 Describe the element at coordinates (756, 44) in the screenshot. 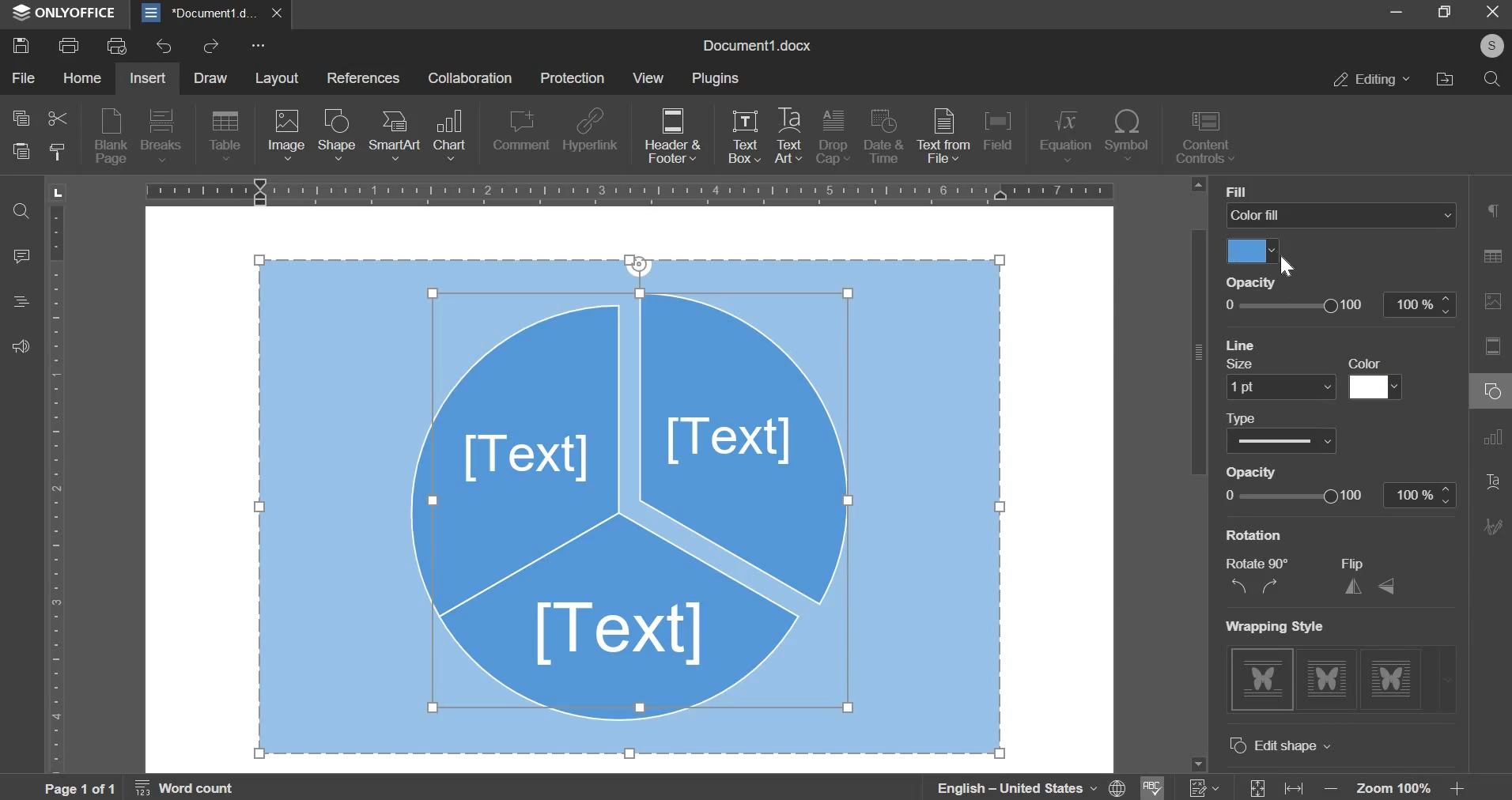

I see `Document1.docx` at that location.